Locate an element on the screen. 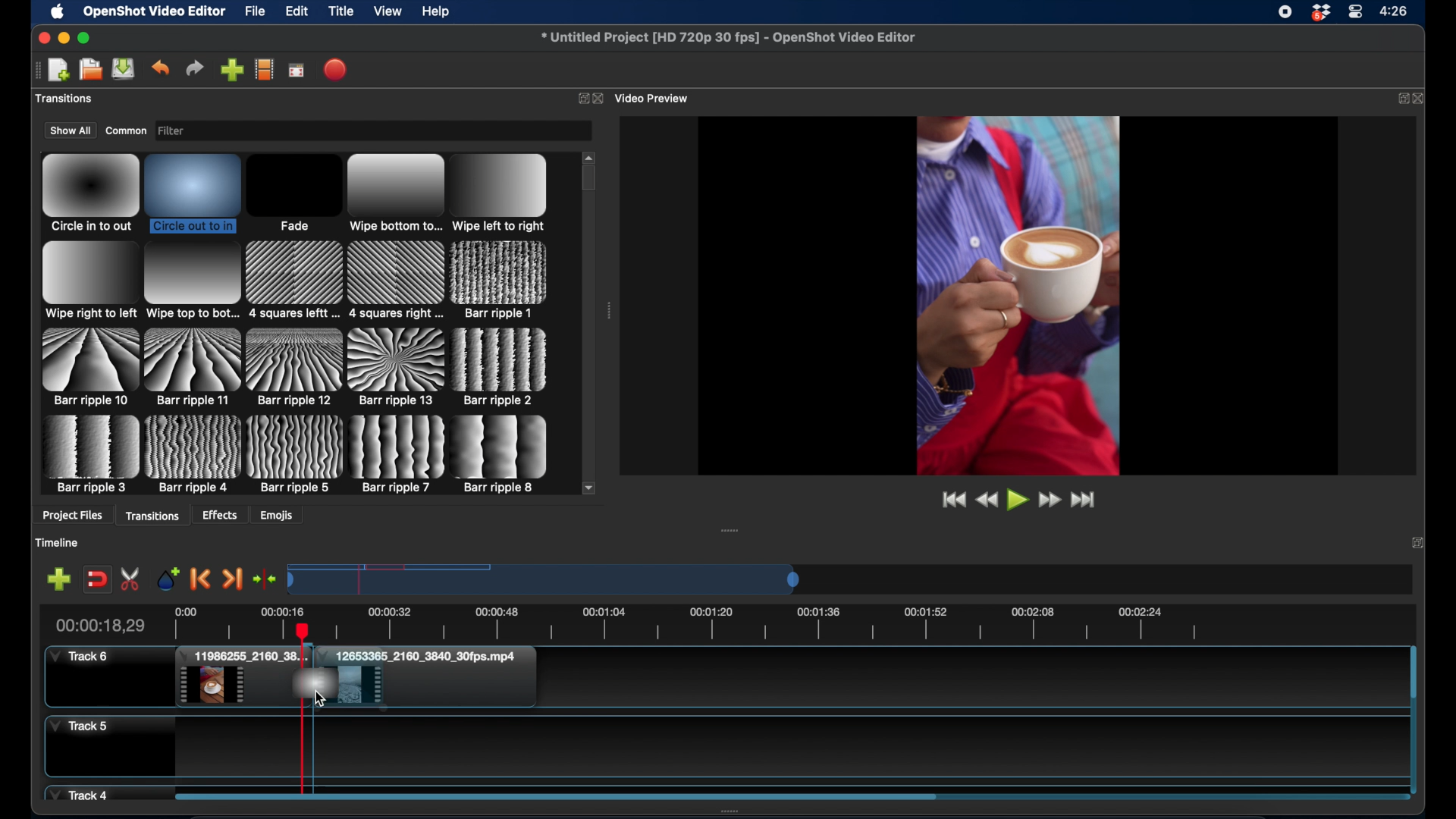 The height and width of the screenshot is (819, 1456). rewind is located at coordinates (986, 500).